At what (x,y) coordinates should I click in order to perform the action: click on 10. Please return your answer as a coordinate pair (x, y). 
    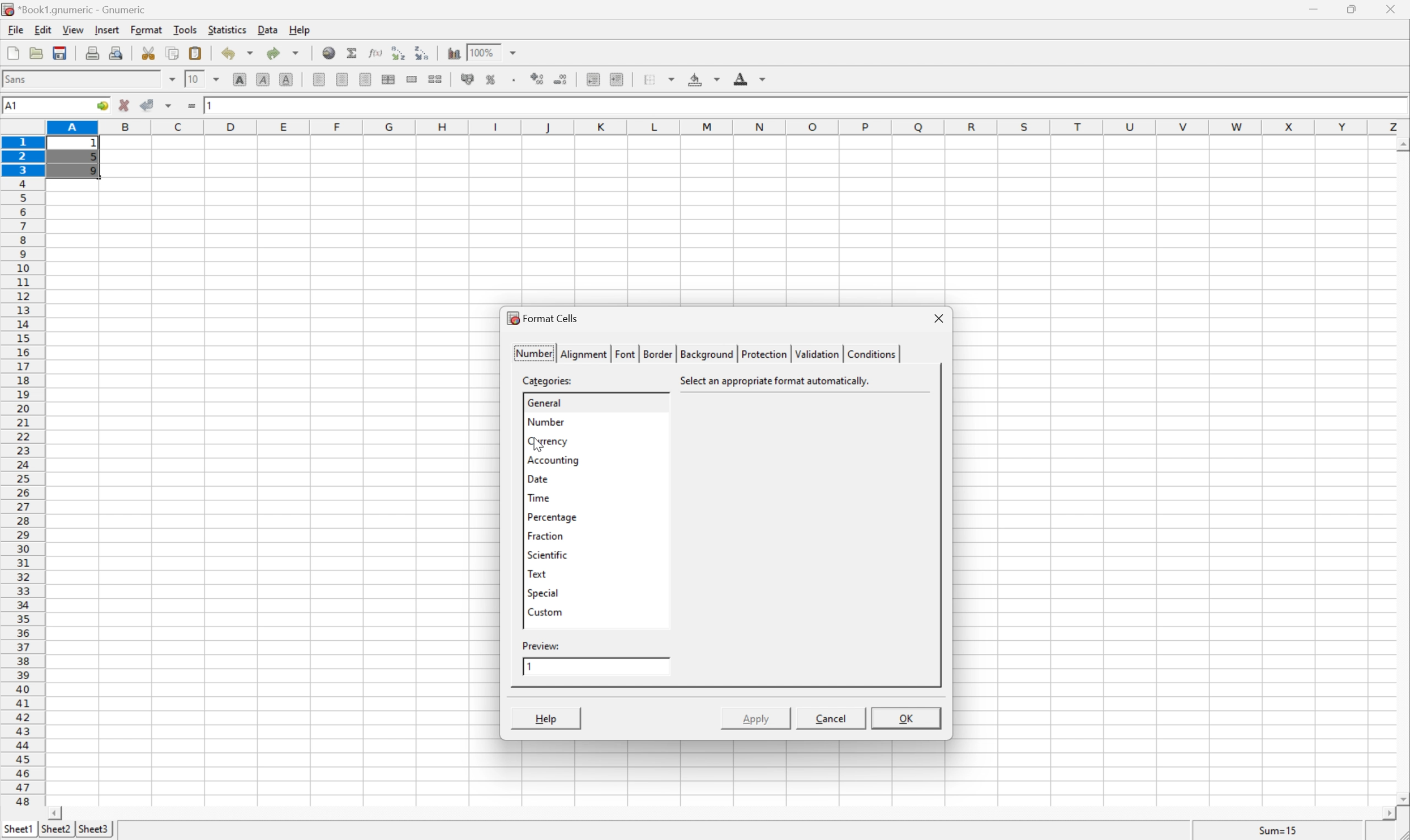
    Looking at the image, I should click on (193, 78).